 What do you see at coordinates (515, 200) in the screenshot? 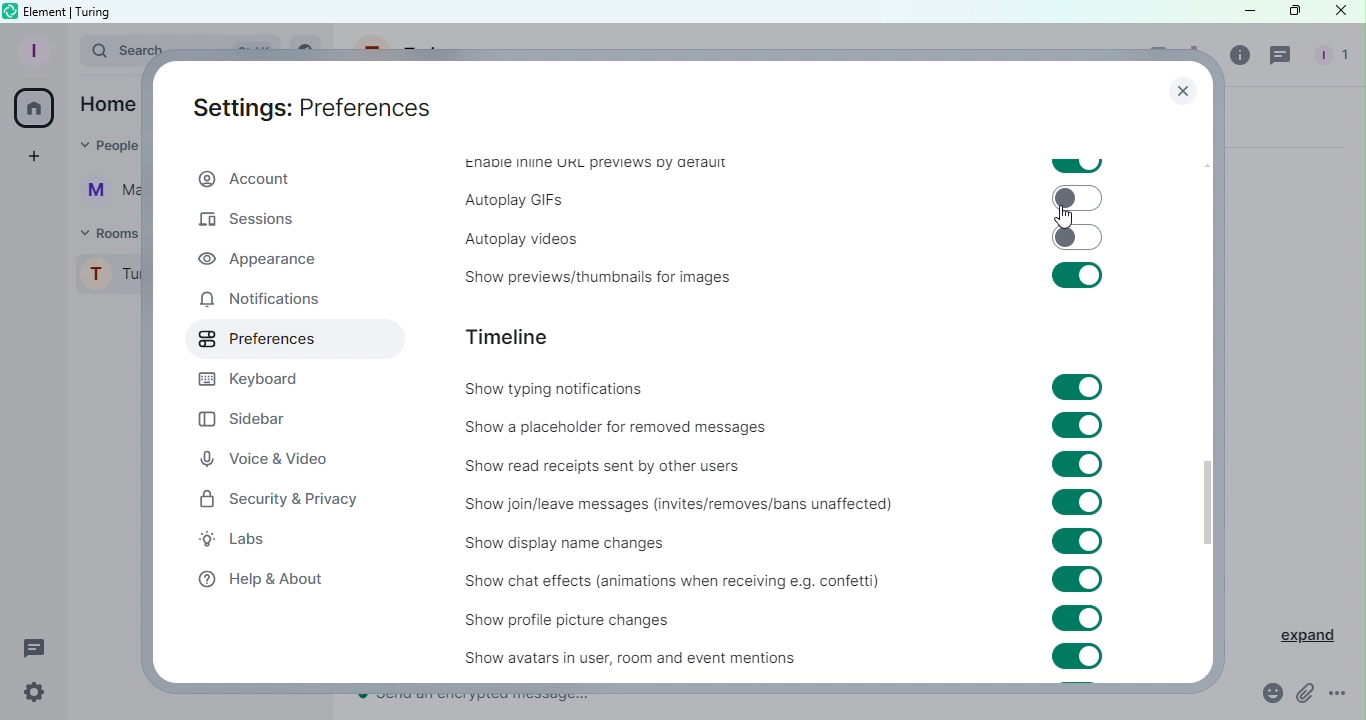
I see `Autoplay GIFs` at bounding box center [515, 200].